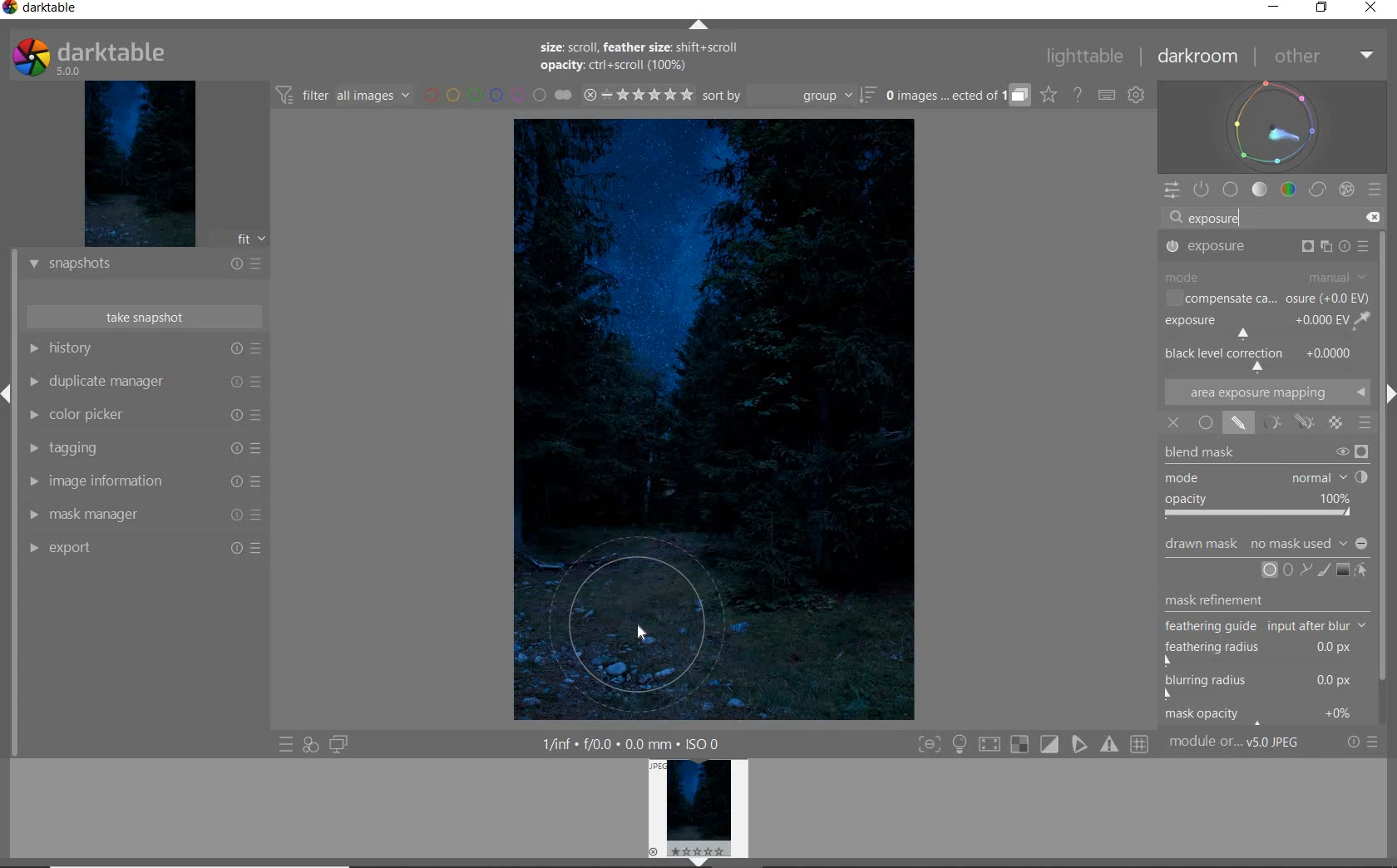  Describe the element at coordinates (1364, 742) in the screenshot. I see `RESET OR PRESETS & PREFERENCES` at that location.